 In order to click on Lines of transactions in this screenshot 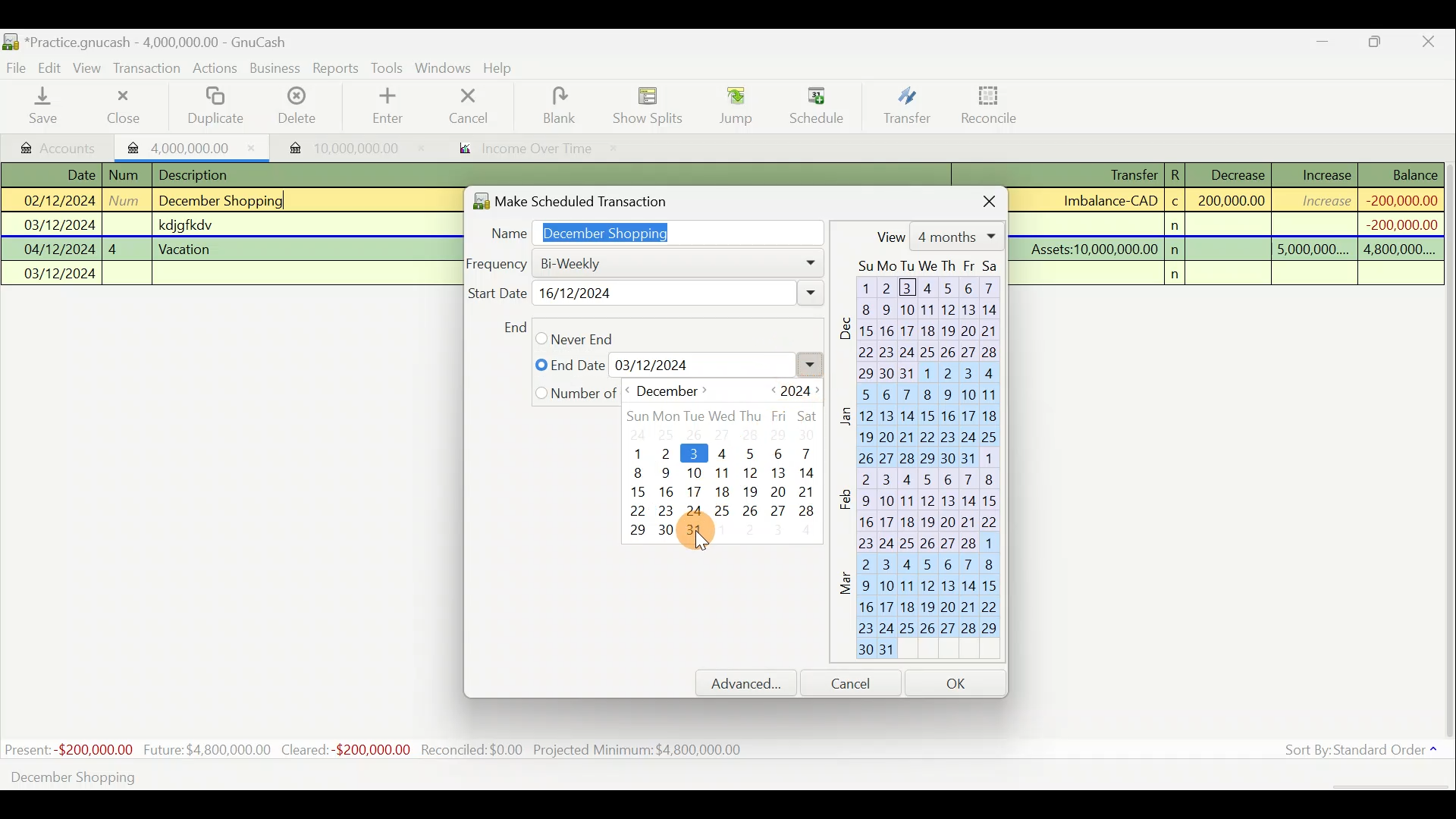, I will do `click(187, 227)`.